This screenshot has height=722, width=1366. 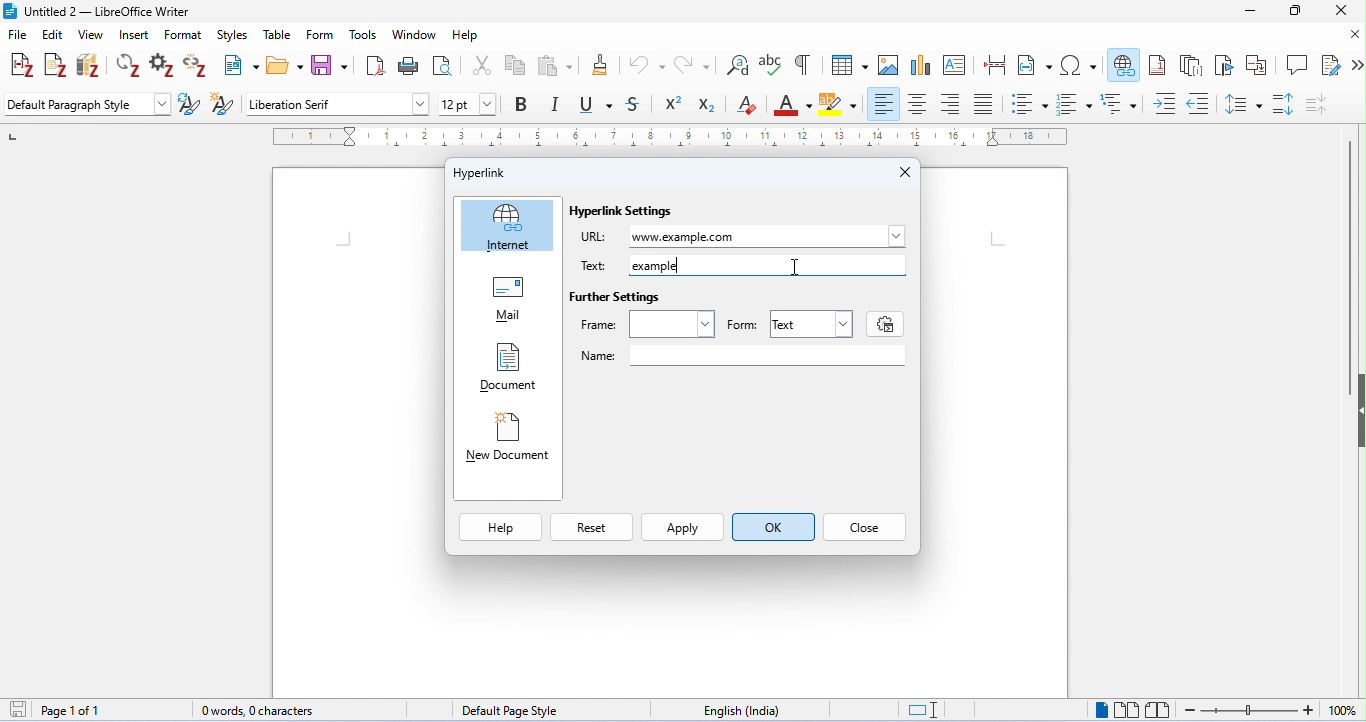 What do you see at coordinates (598, 355) in the screenshot?
I see `Name` at bounding box center [598, 355].